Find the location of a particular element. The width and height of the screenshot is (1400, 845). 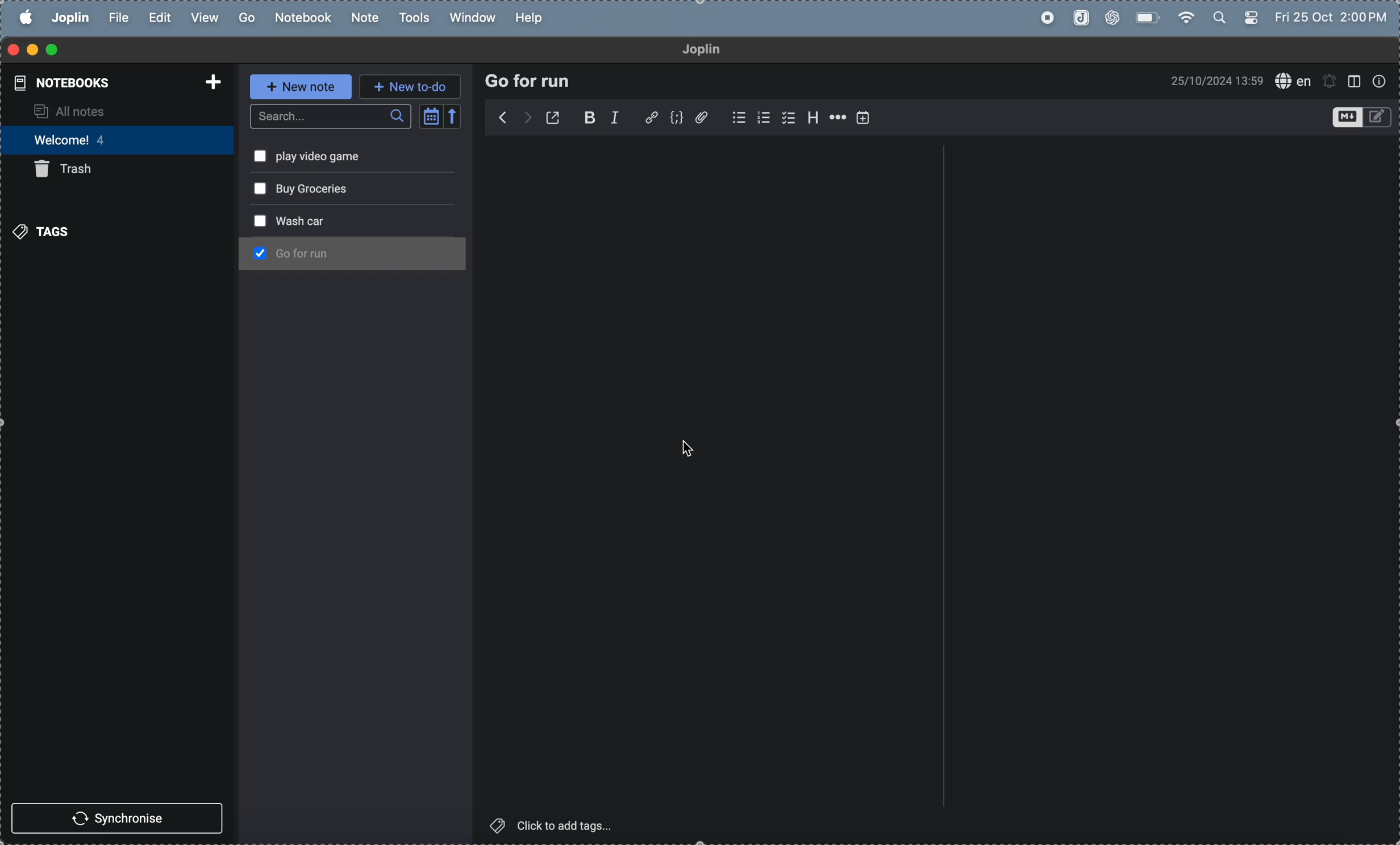

joplin title is located at coordinates (719, 51).